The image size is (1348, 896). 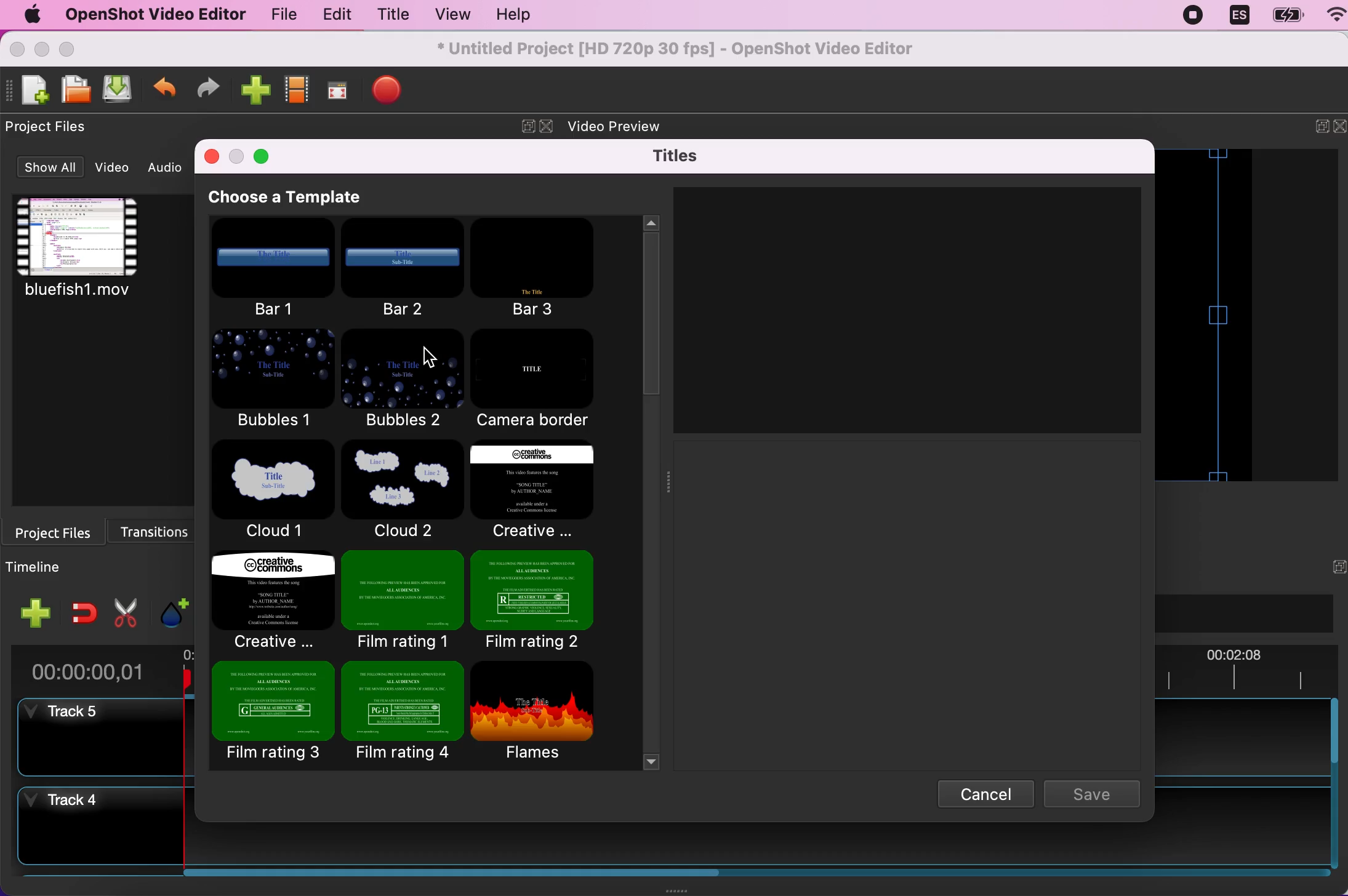 I want to click on view, so click(x=448, y=15).